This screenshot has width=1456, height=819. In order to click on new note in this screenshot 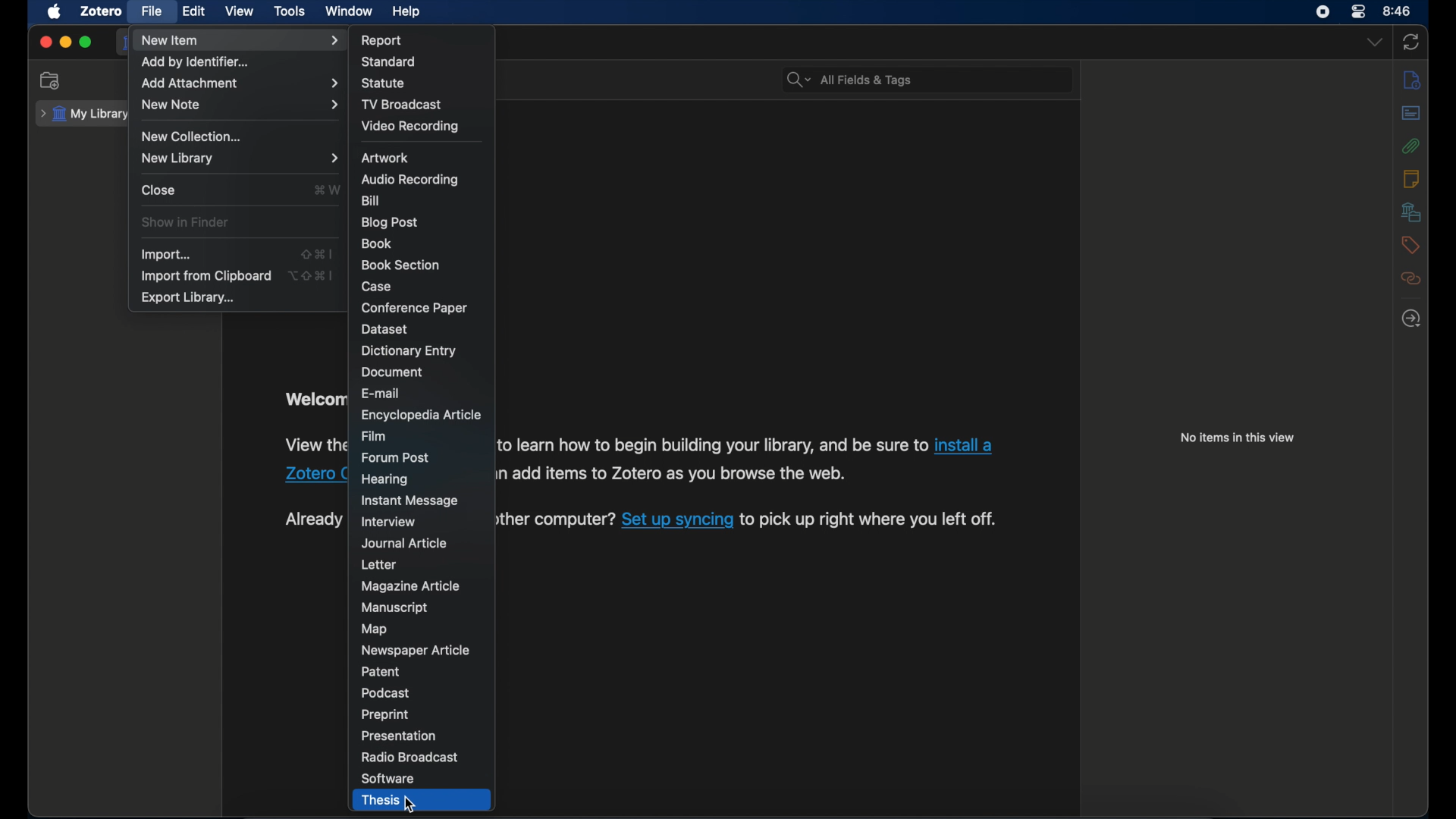, I will do `click(238, 105)`.